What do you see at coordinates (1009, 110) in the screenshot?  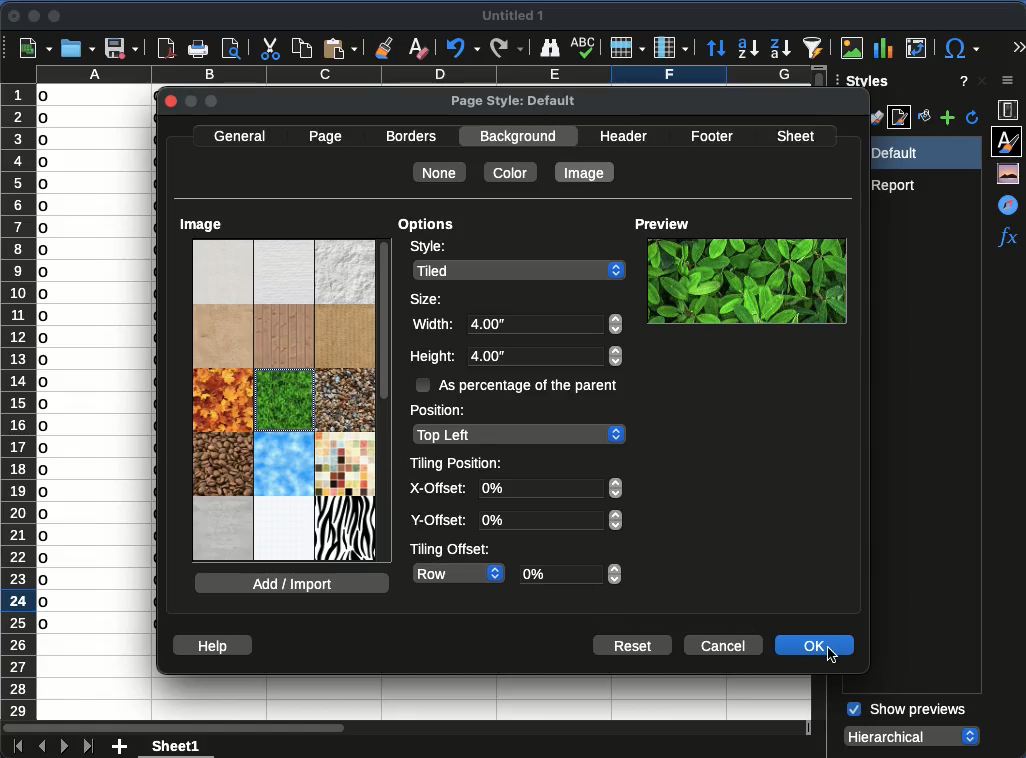 I see `properties` at bounding box center [1009, 110].